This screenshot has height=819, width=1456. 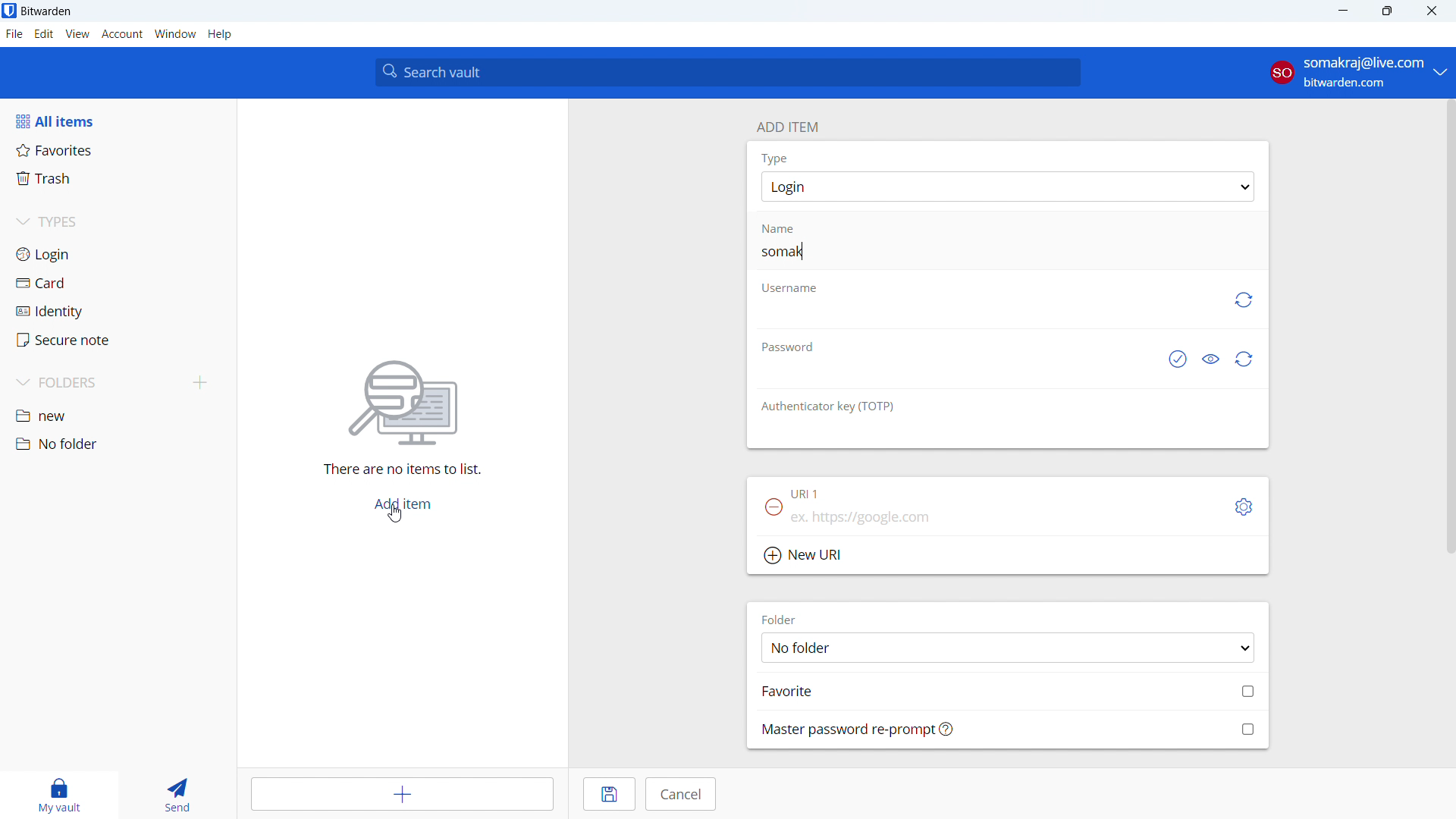 I want to click on SCROLL BAR, so click(x=1447, y=328).